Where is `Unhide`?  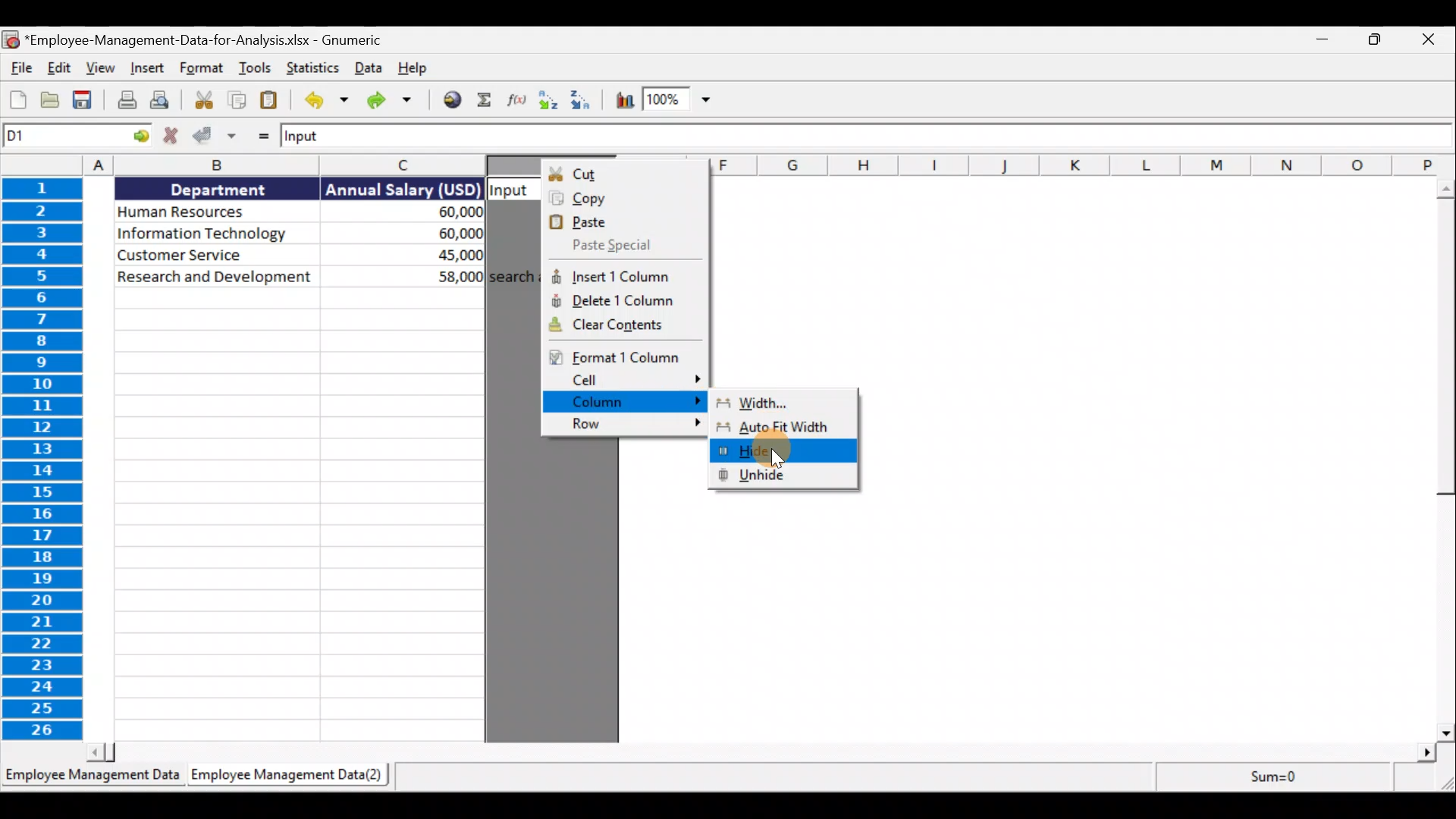
Unhide is located at coordinates (786, 477).